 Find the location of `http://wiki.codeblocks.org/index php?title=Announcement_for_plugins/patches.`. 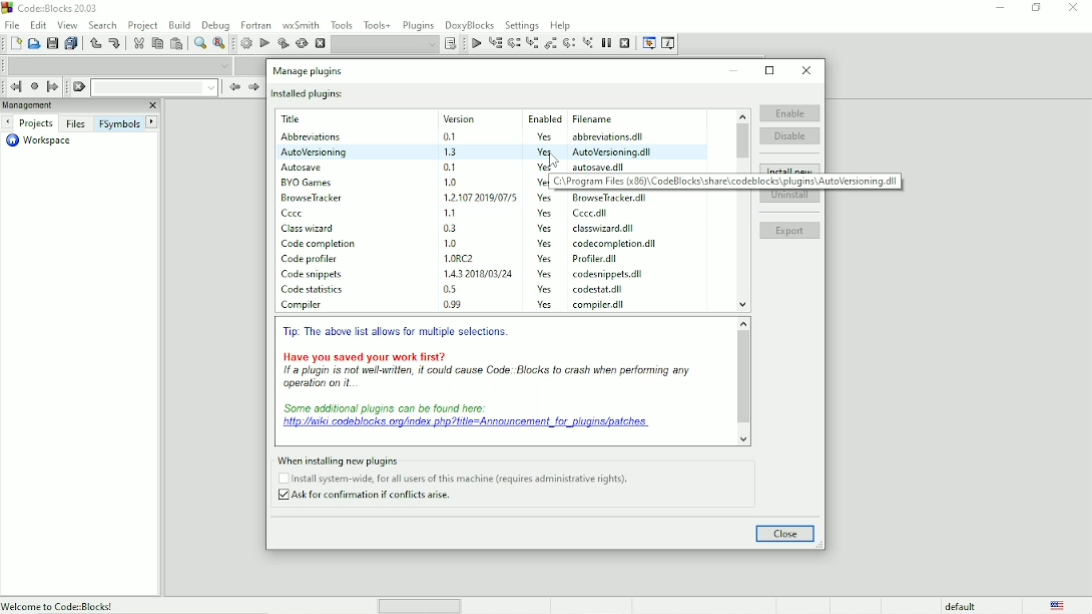

http://wiki.codeblocks.org/index php?title=Announcement_for_plugins/patches. is located at coordinates (465, 418).